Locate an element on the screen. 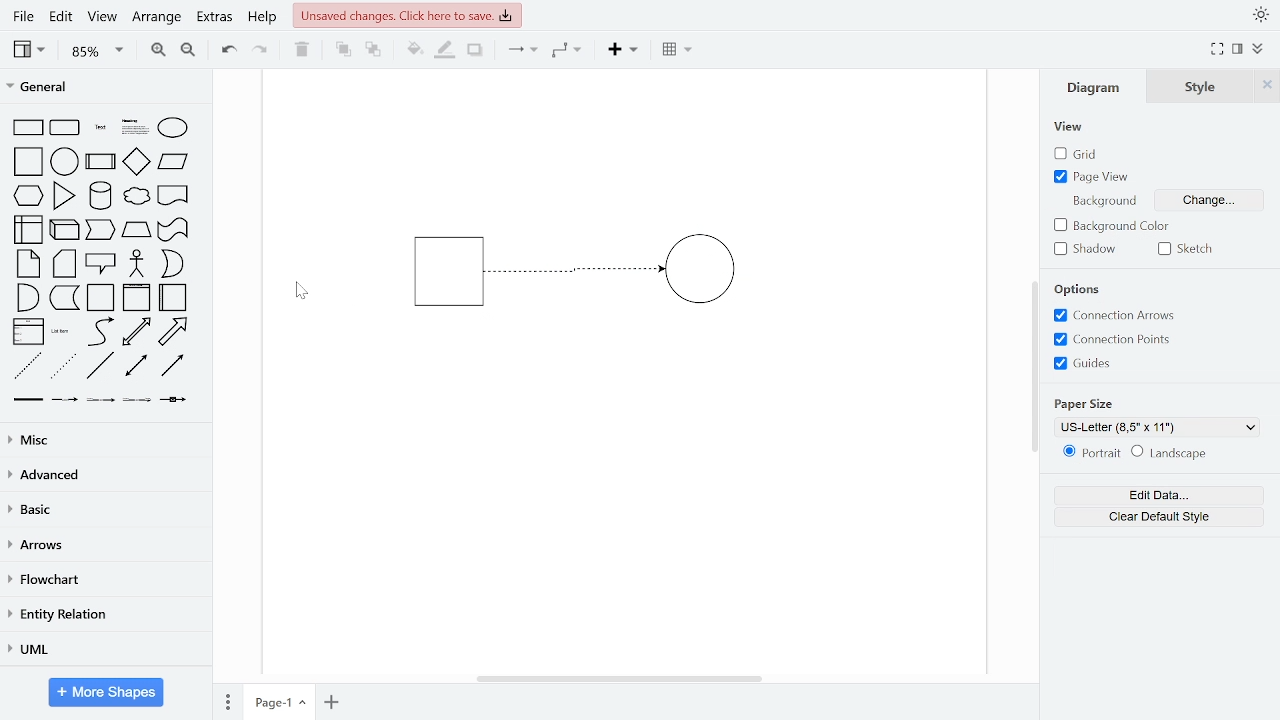  list is located at coordinates (28, 332).